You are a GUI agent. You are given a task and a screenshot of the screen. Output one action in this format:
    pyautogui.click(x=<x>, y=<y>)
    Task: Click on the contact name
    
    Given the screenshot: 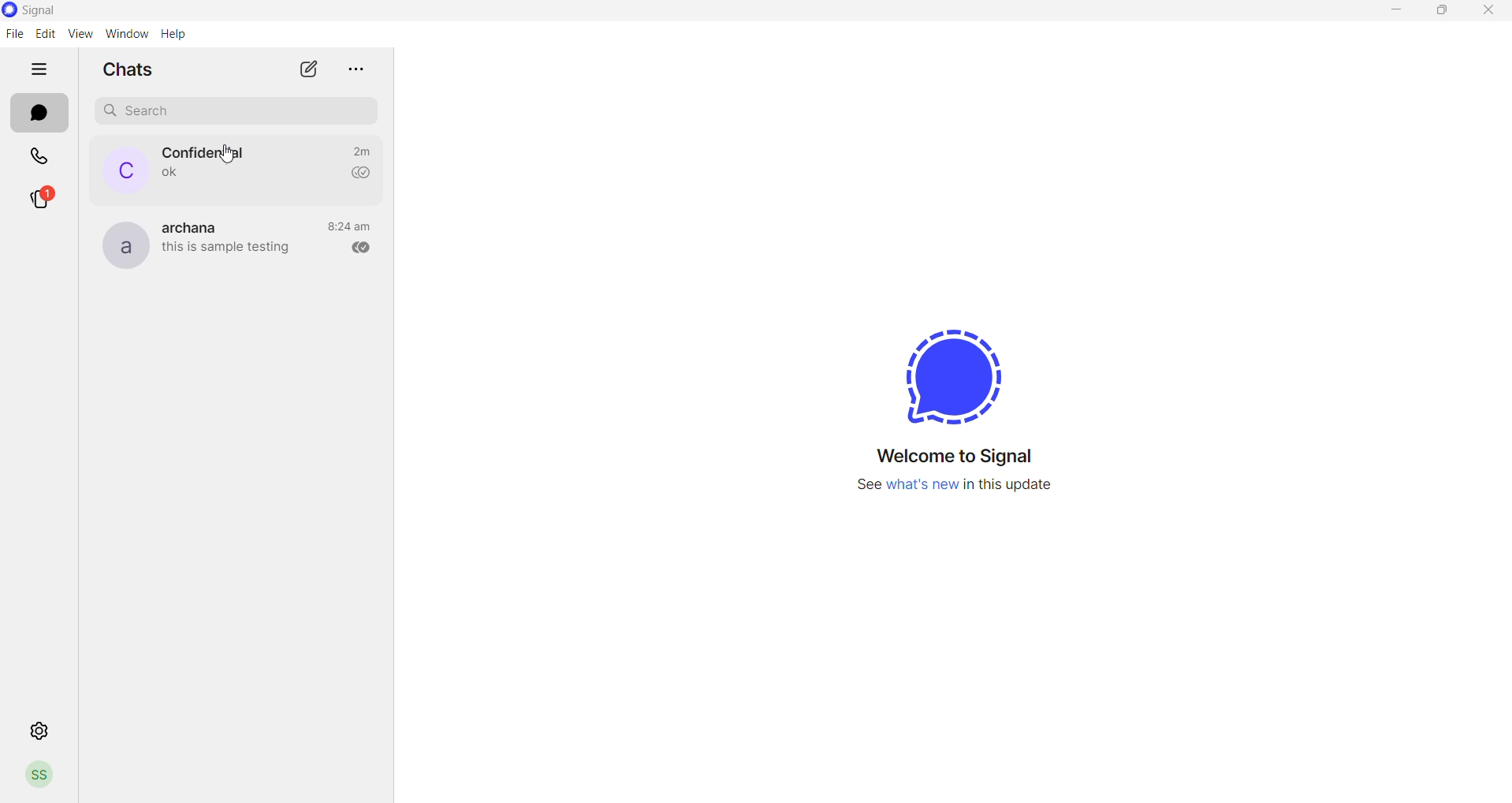 What is the action you would take?
    pyautogui.click(x=196, y=226)
    